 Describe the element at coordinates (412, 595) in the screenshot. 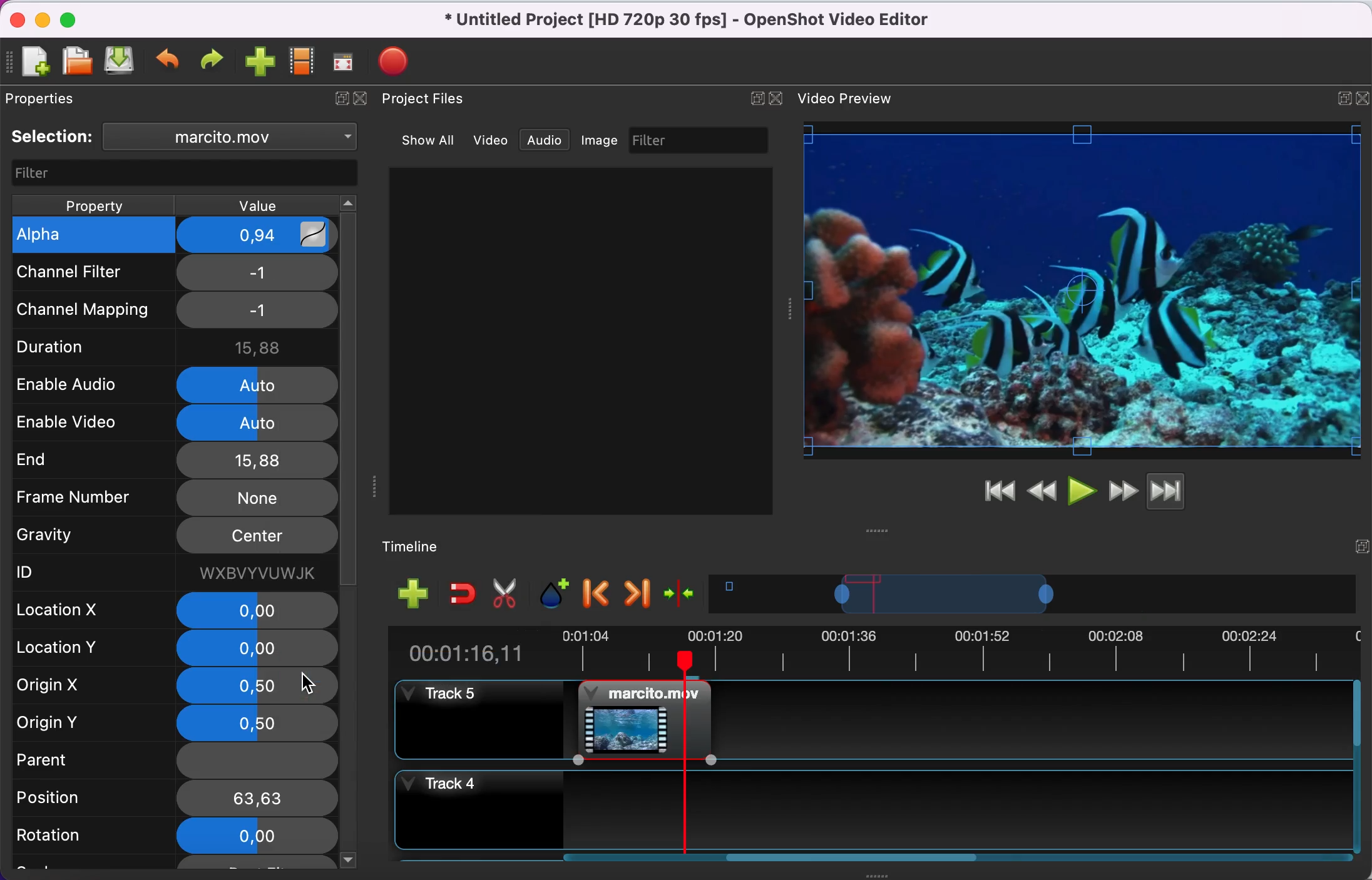

I see `add track` at that location.